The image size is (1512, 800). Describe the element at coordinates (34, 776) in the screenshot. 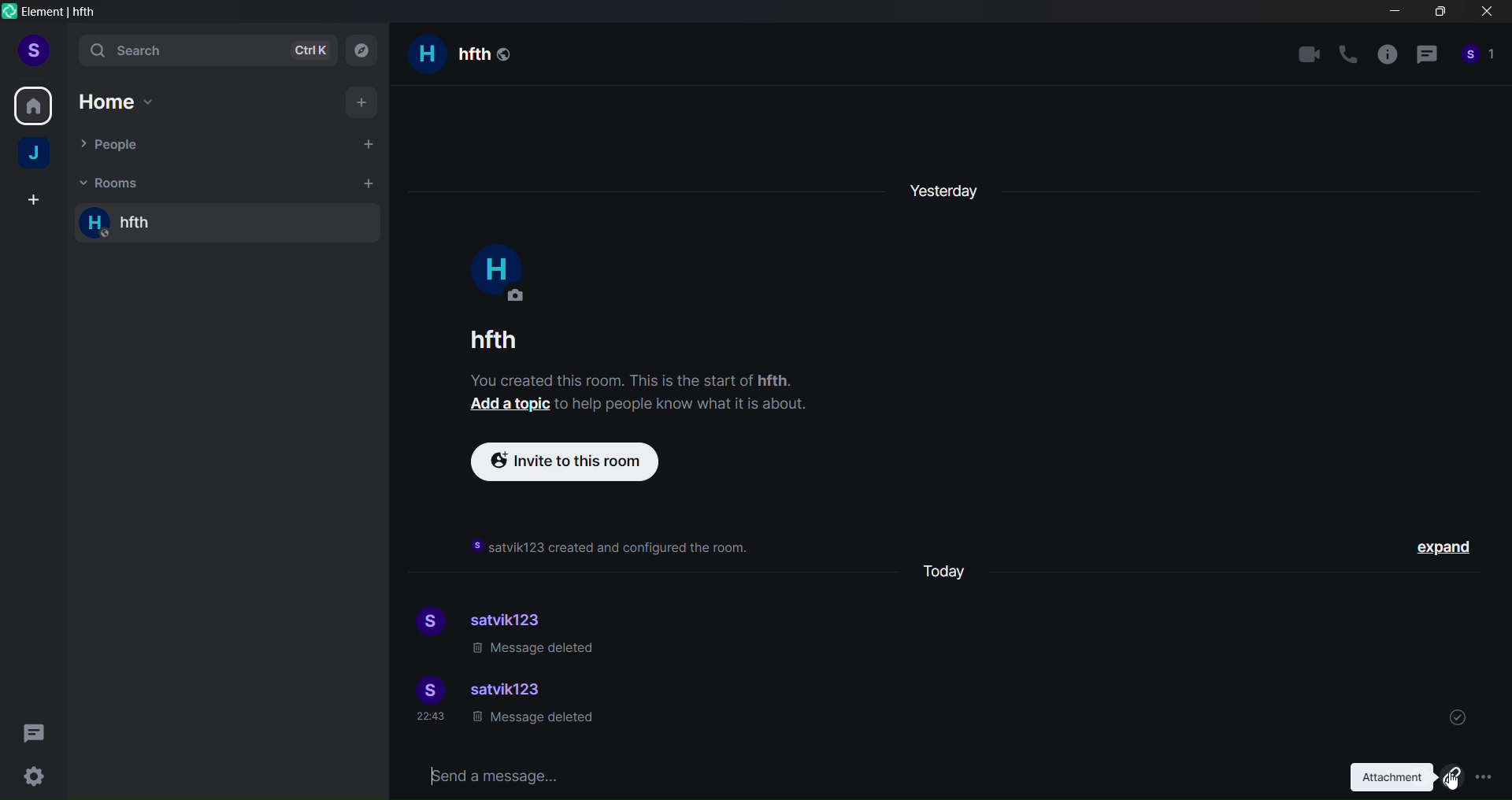

I see `setting` at that location.